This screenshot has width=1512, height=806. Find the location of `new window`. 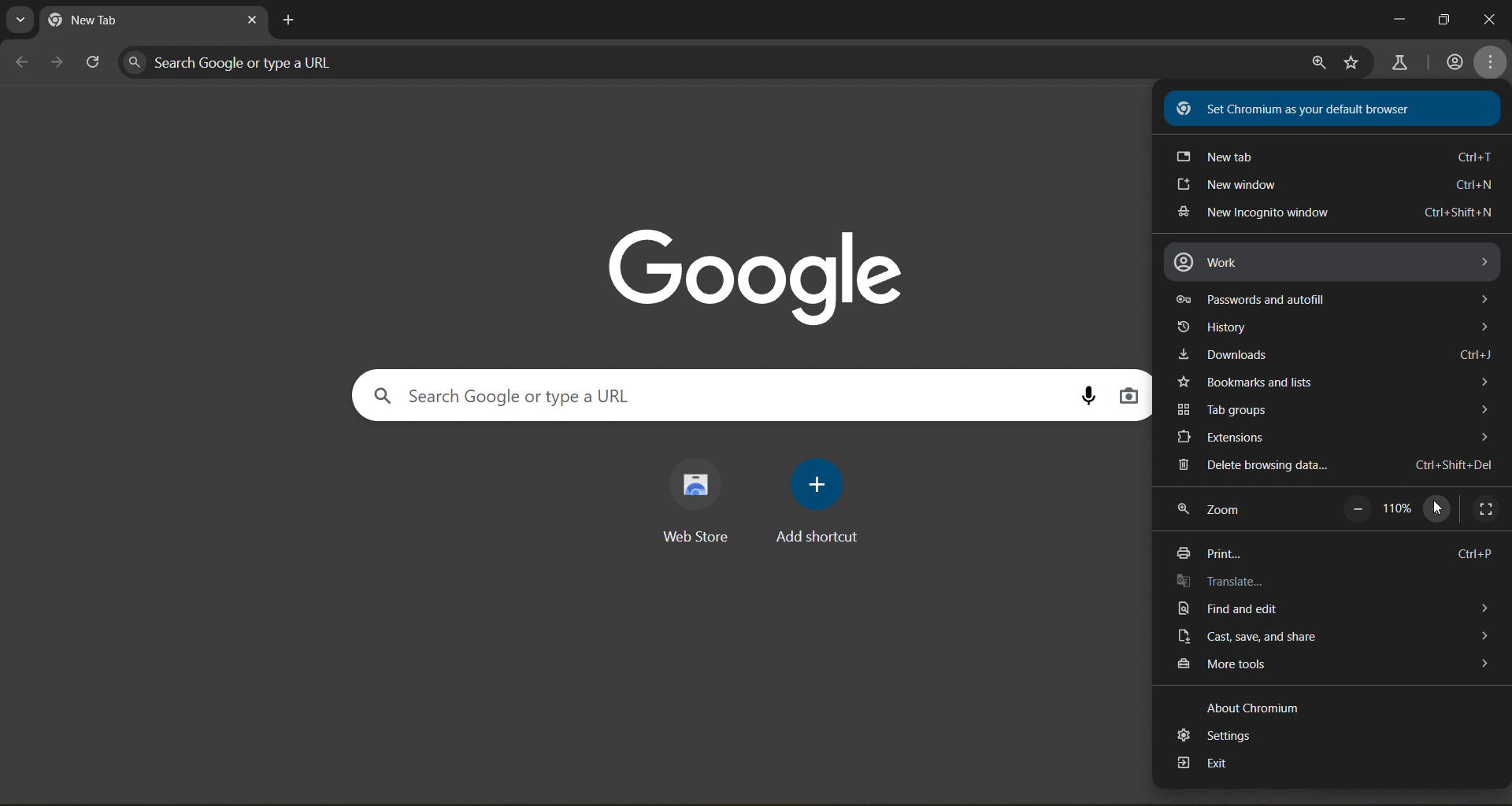

new window is located at coordinates (1333, 187).